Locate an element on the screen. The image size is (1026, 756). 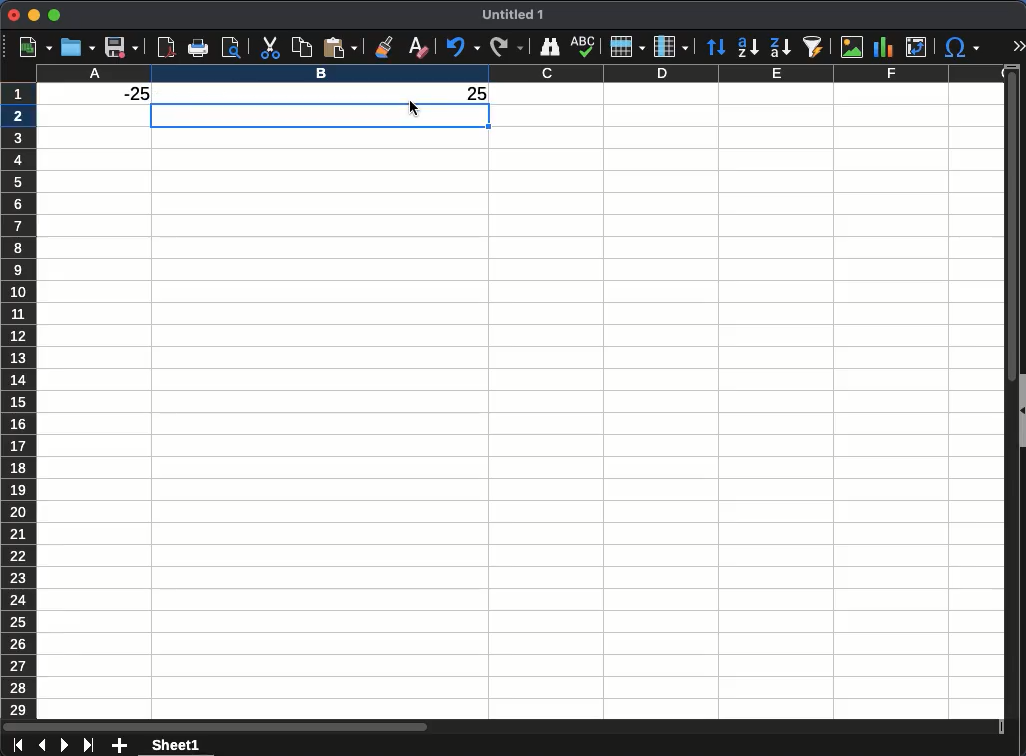
scroll is located at coordinates (1005, 397).